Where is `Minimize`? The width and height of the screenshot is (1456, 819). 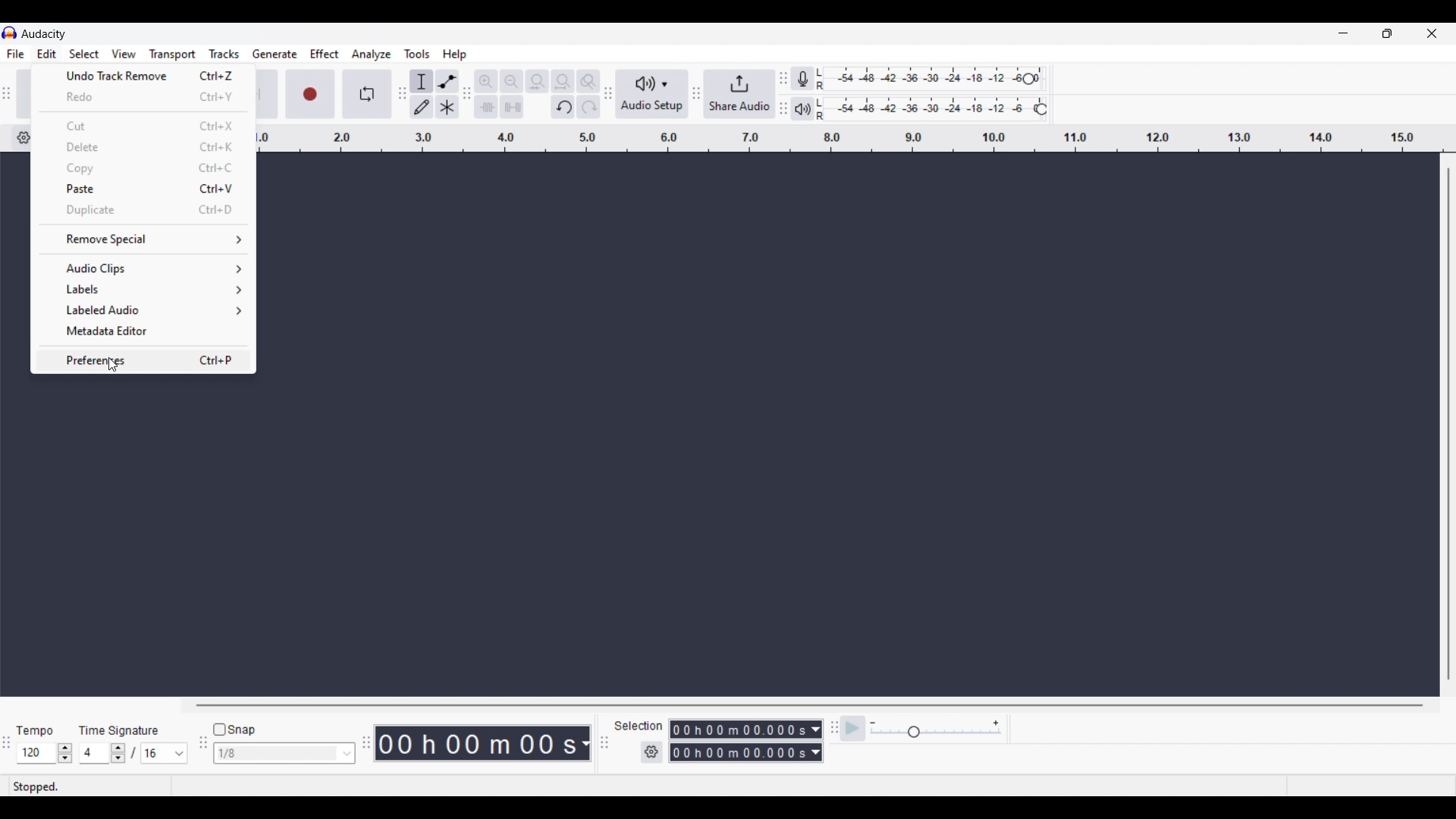 Minimize is located at coordinates (1343, 33).